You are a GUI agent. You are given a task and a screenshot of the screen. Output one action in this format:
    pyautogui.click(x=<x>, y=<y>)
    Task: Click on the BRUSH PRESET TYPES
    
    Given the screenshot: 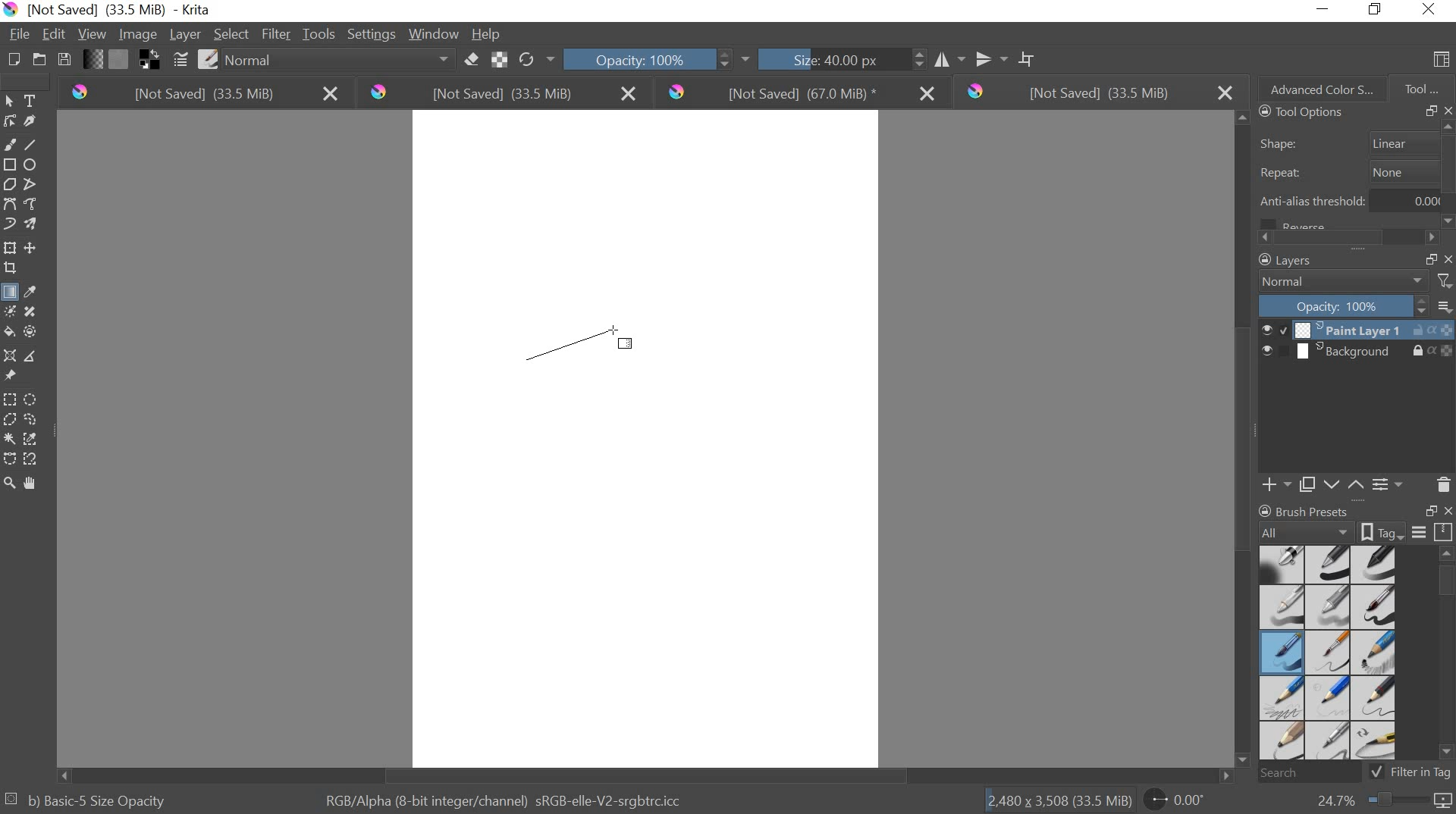 What is the action you would take?
    pyautogui.click(x=1332, y=653)
    